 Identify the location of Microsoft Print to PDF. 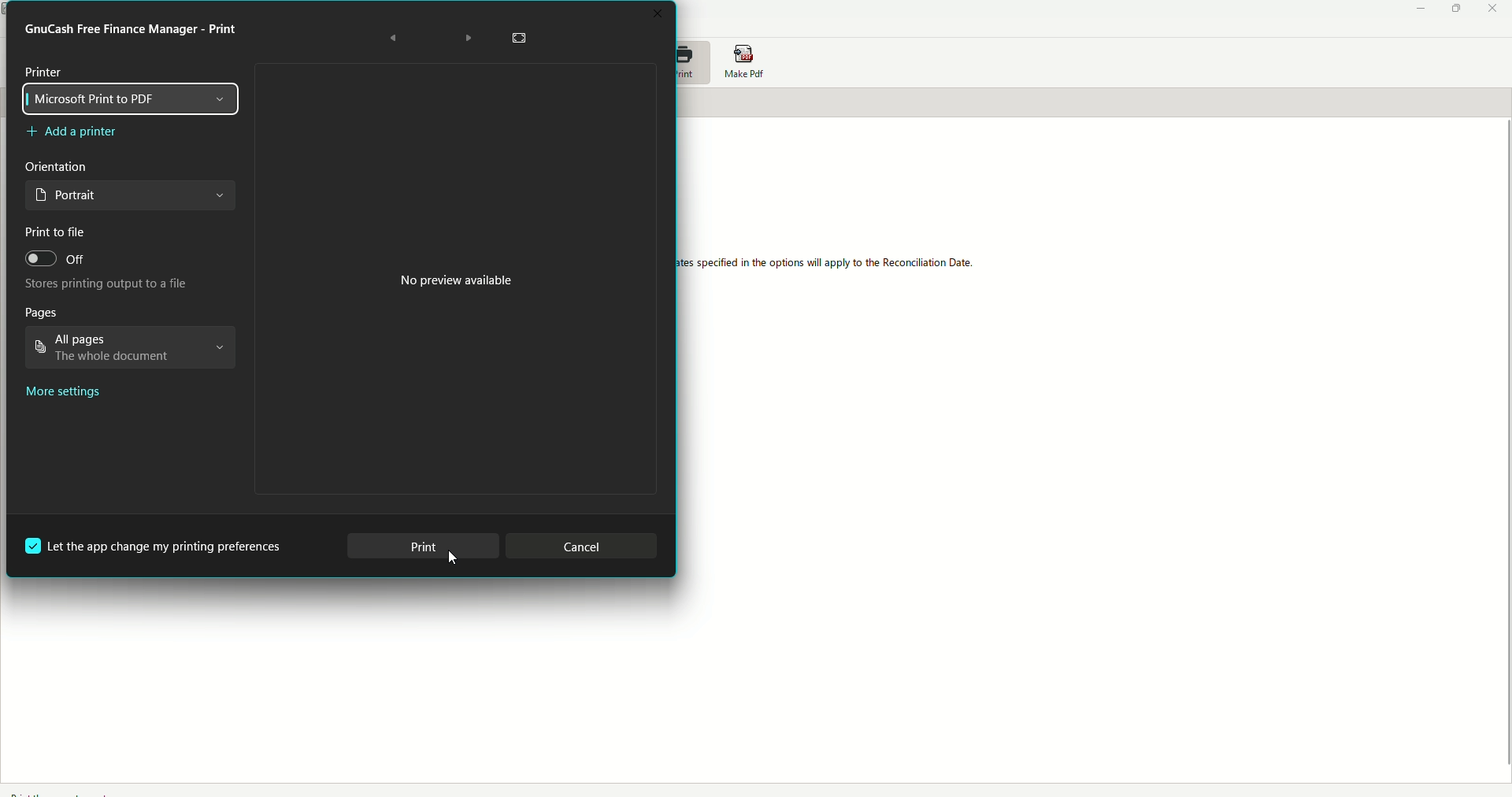
(130, 99).